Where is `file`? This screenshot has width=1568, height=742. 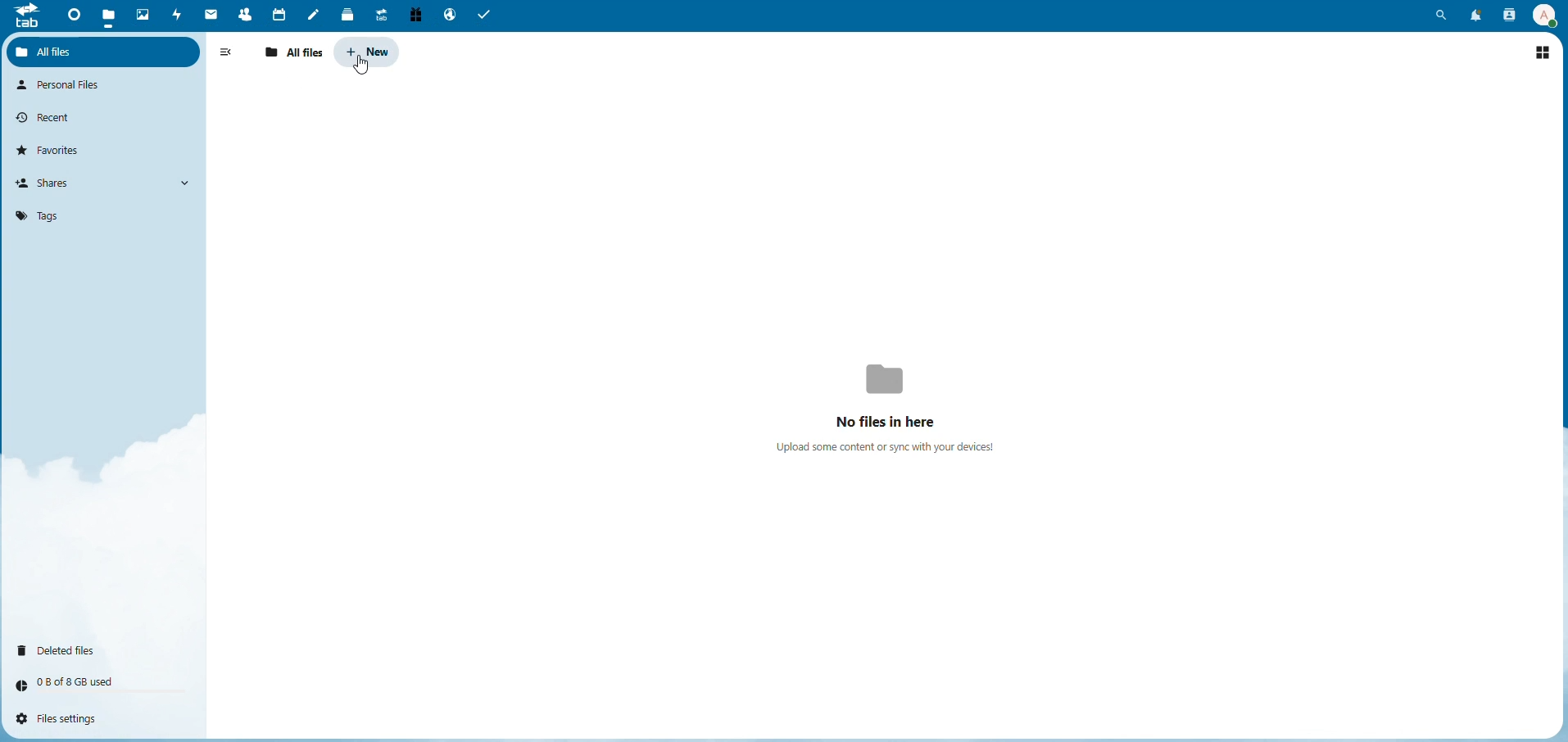
file is located at coordinates (110, 13).